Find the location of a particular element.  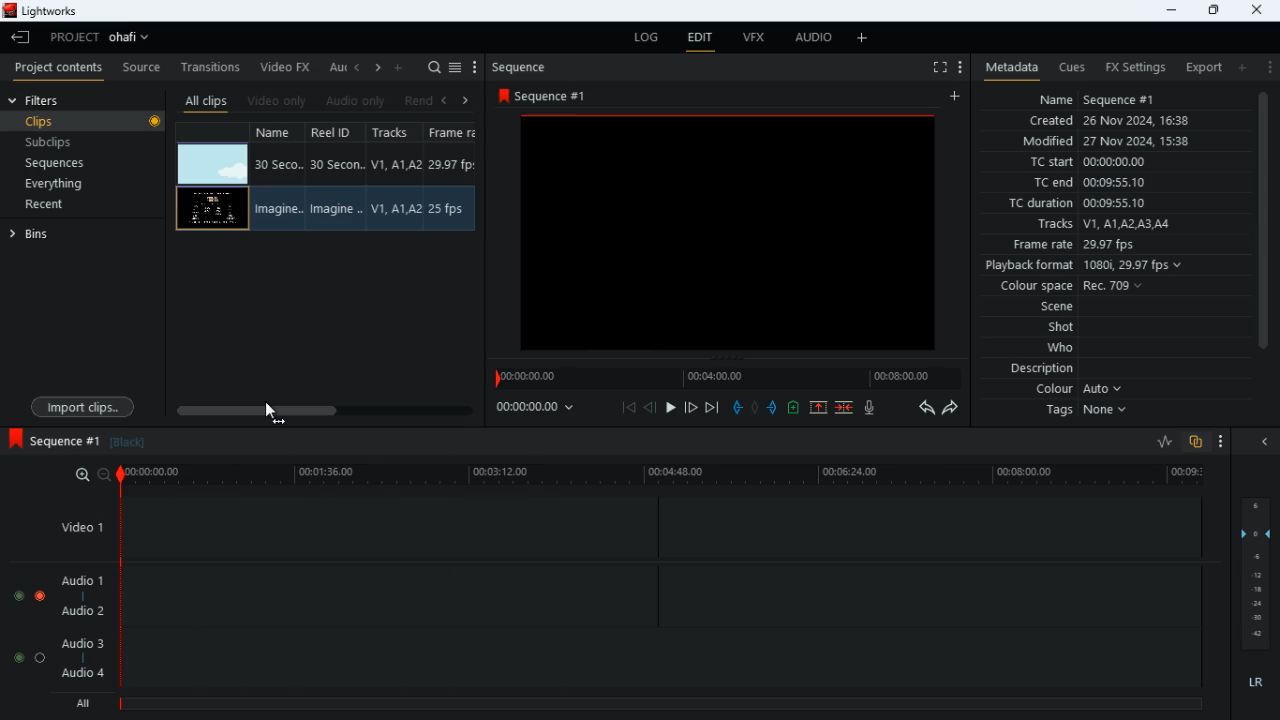

tags is located at coordinates (1078, 414).